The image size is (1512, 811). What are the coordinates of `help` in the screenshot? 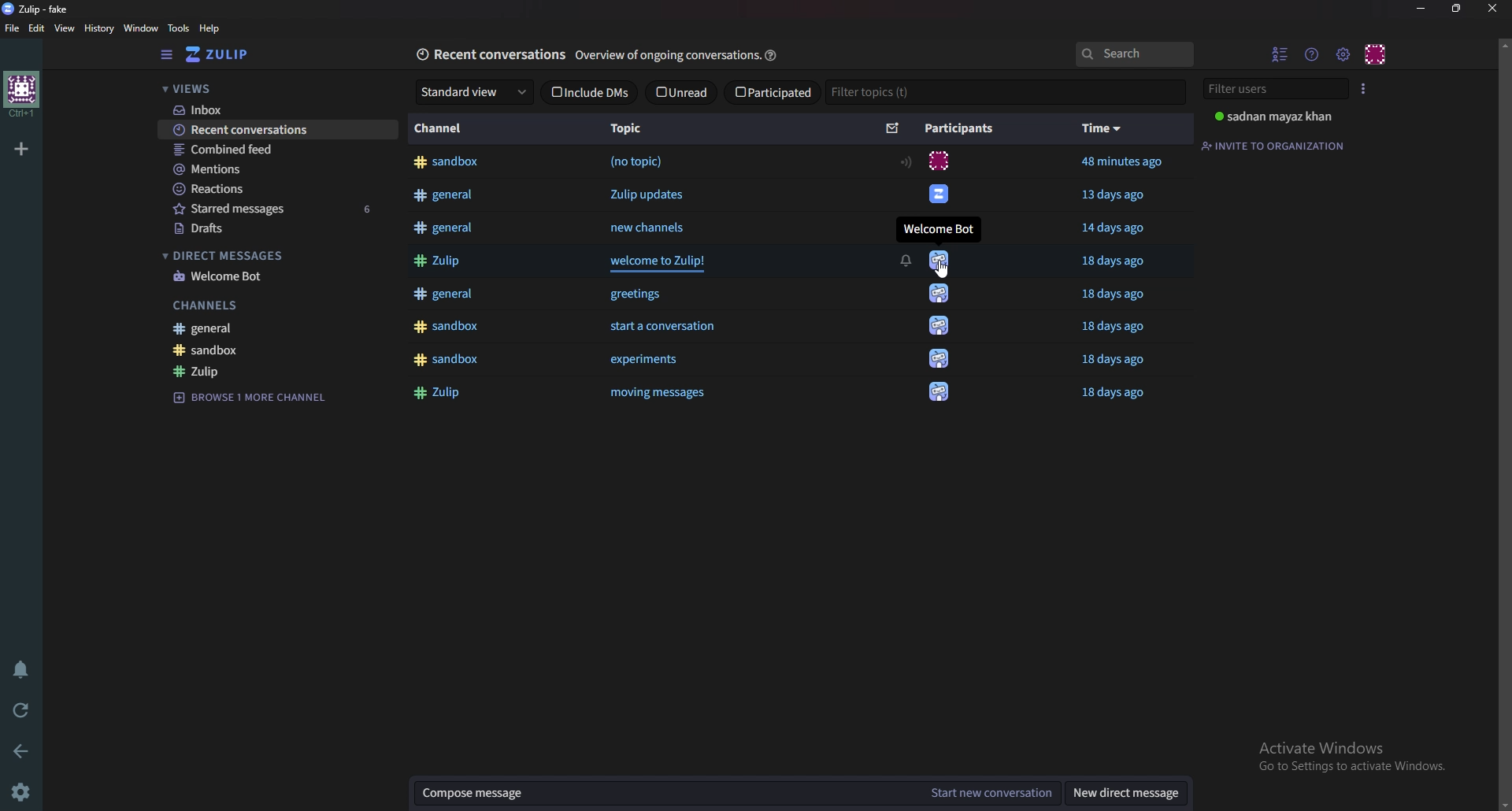 It's located at (212, 28).